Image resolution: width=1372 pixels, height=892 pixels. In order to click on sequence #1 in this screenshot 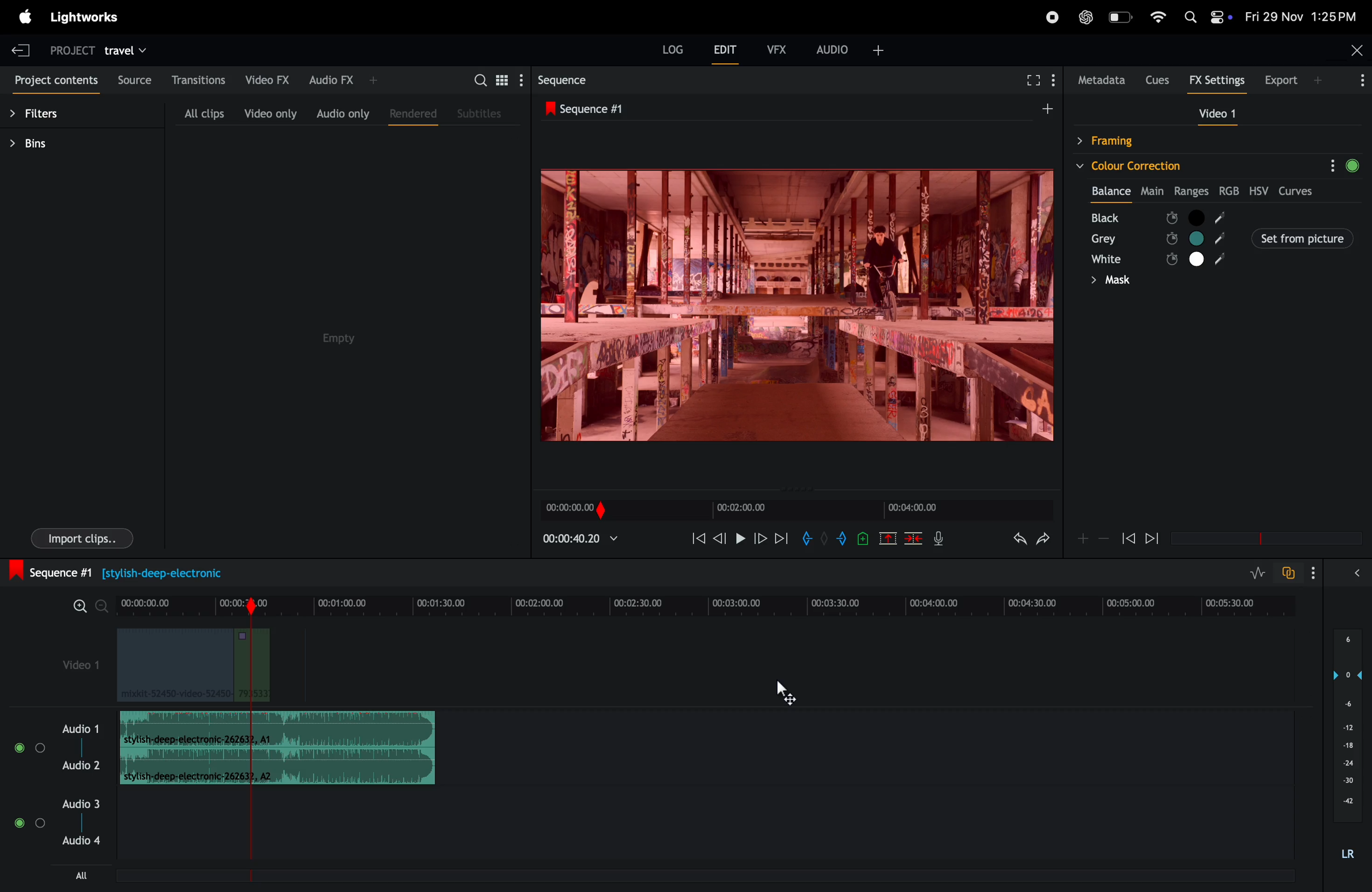, I will do `click(127, 571)`.